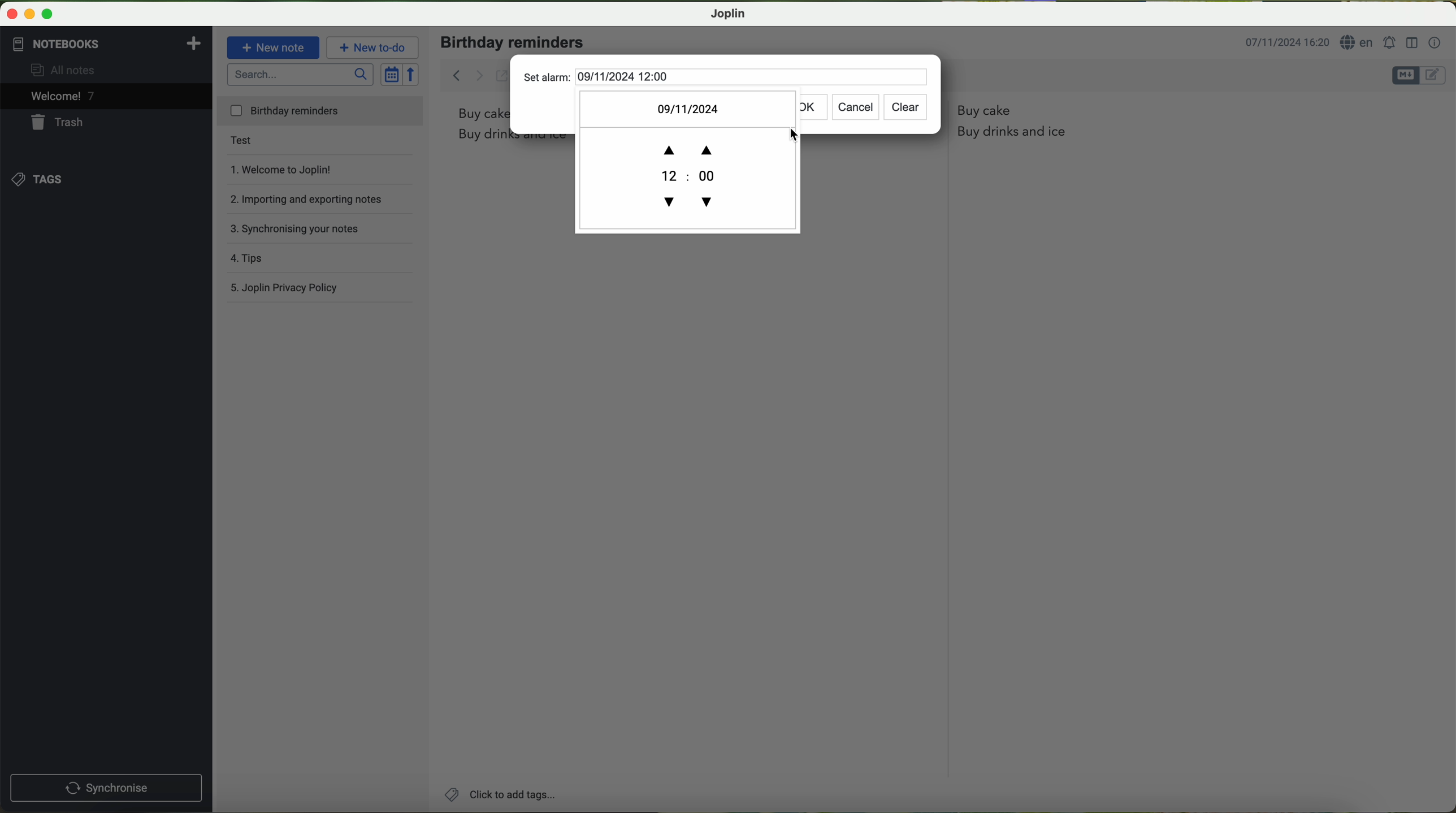 This screenshot has height=813, width=1456. Describe the element at coordinates (1436, 43) in the screenshot. I see `note properties` at that location.